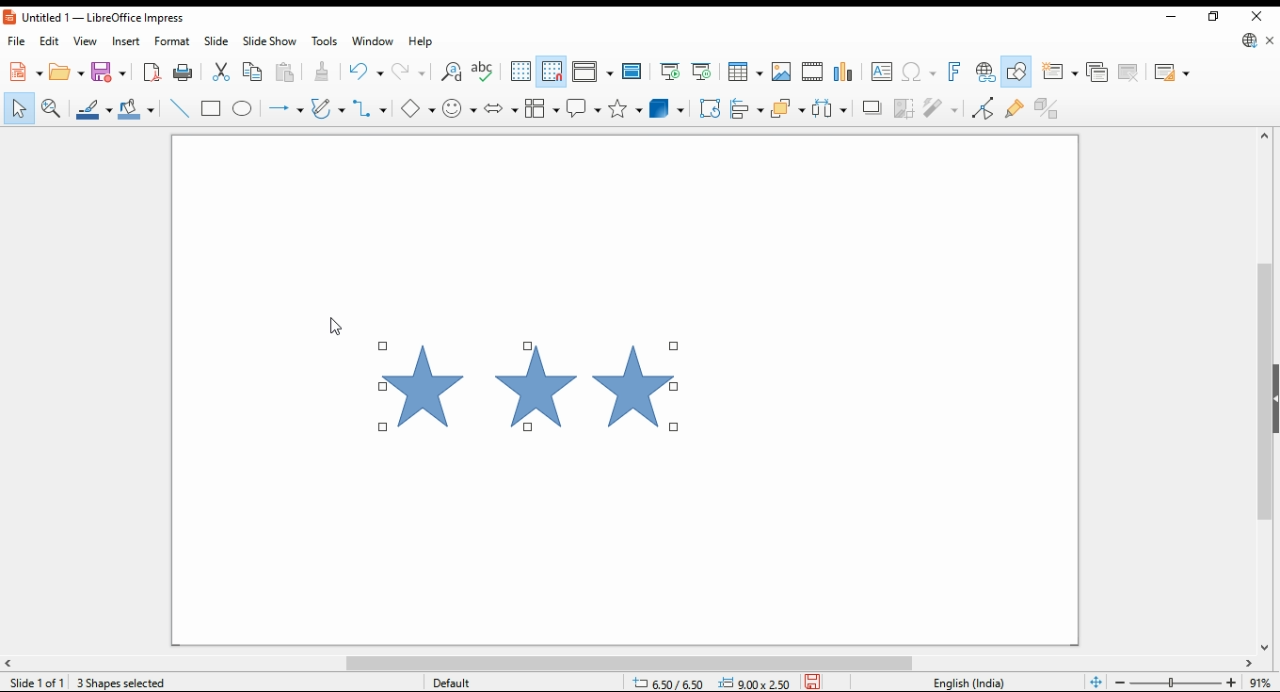 The image size is (1280, 692). Describe the element at coordinates (781, 70) in the screenshot. I see `insert image` at that location.